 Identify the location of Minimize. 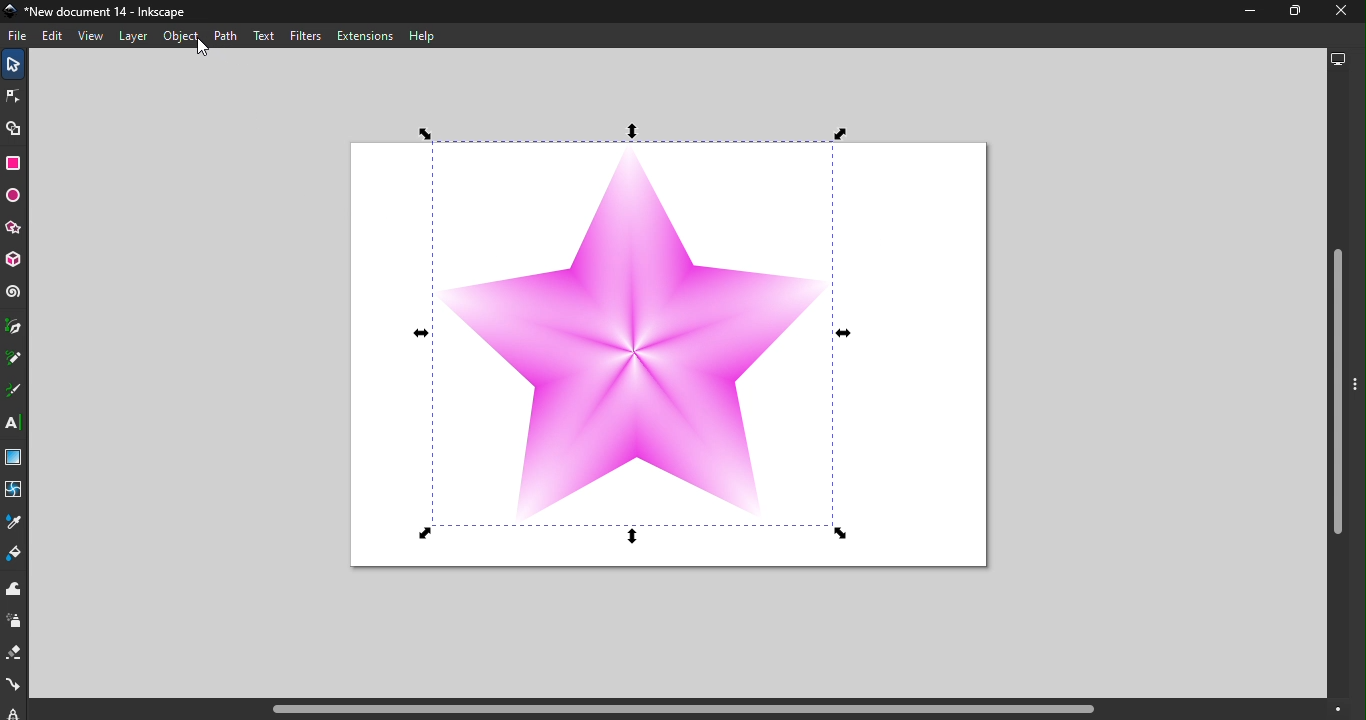
(1245, 14).